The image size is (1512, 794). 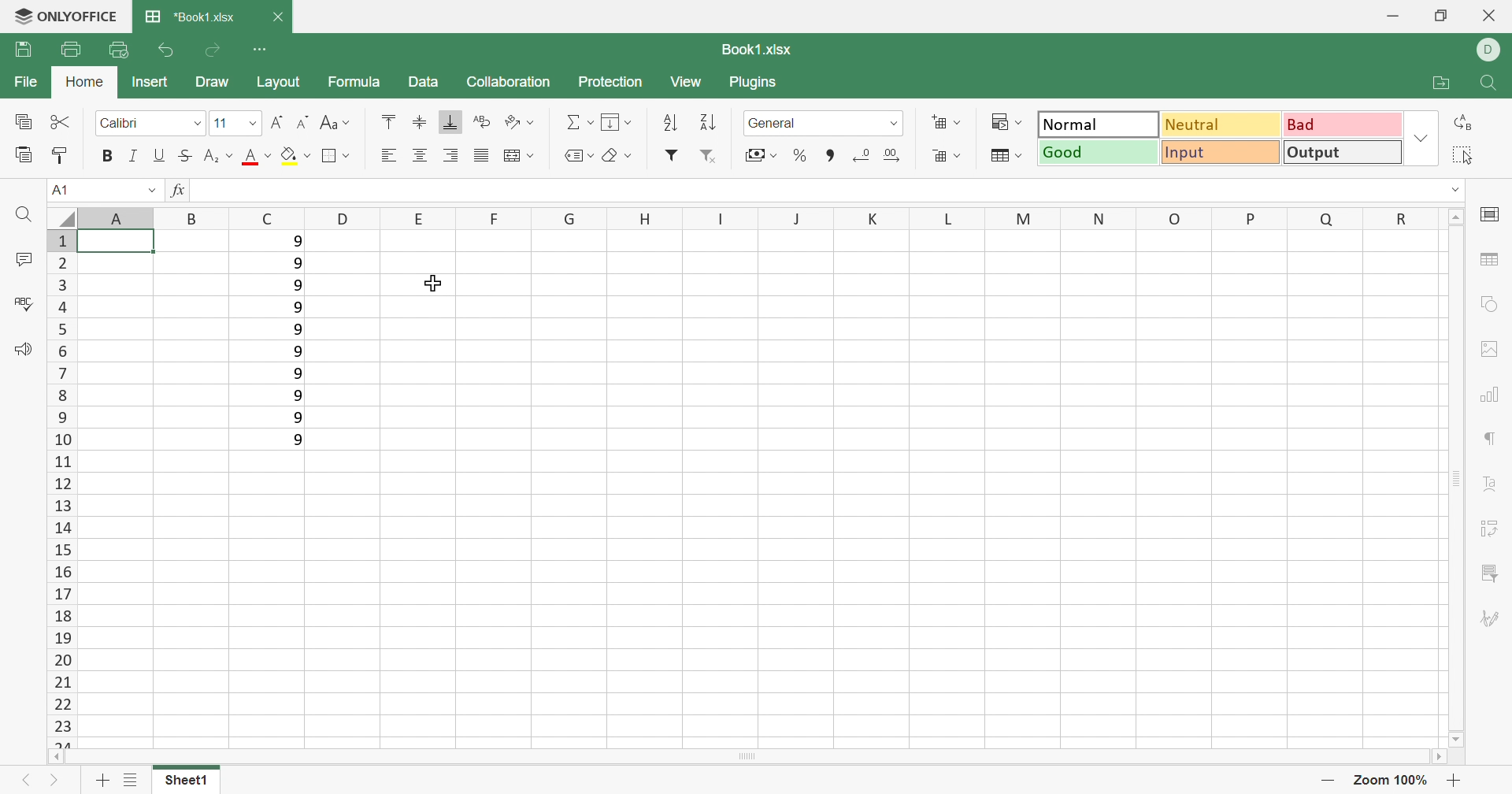 What do you see at coordinates (706, 155) in the screenshot?
I see `Remove filter` at bounding box center [706, 155].